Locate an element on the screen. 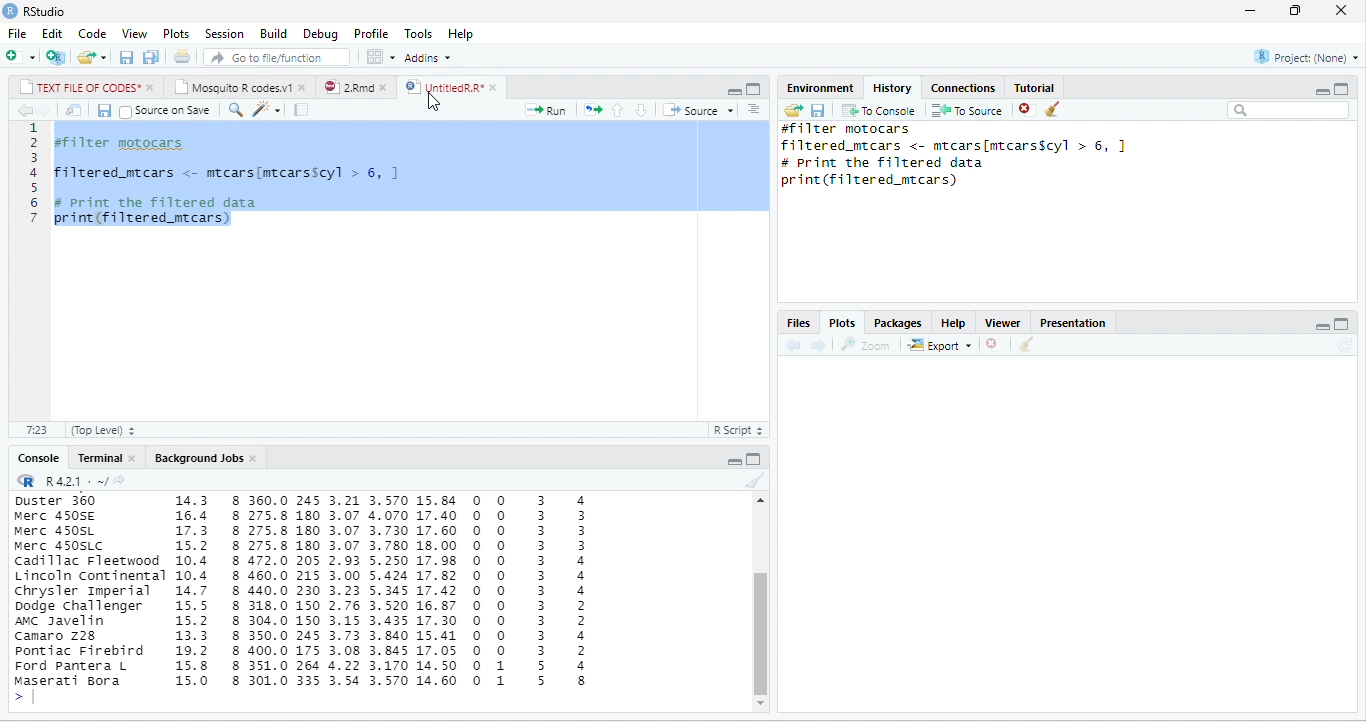 The height and width of the screenshot is (722, 1366). 7:23 is located at coordinates (37, 430).